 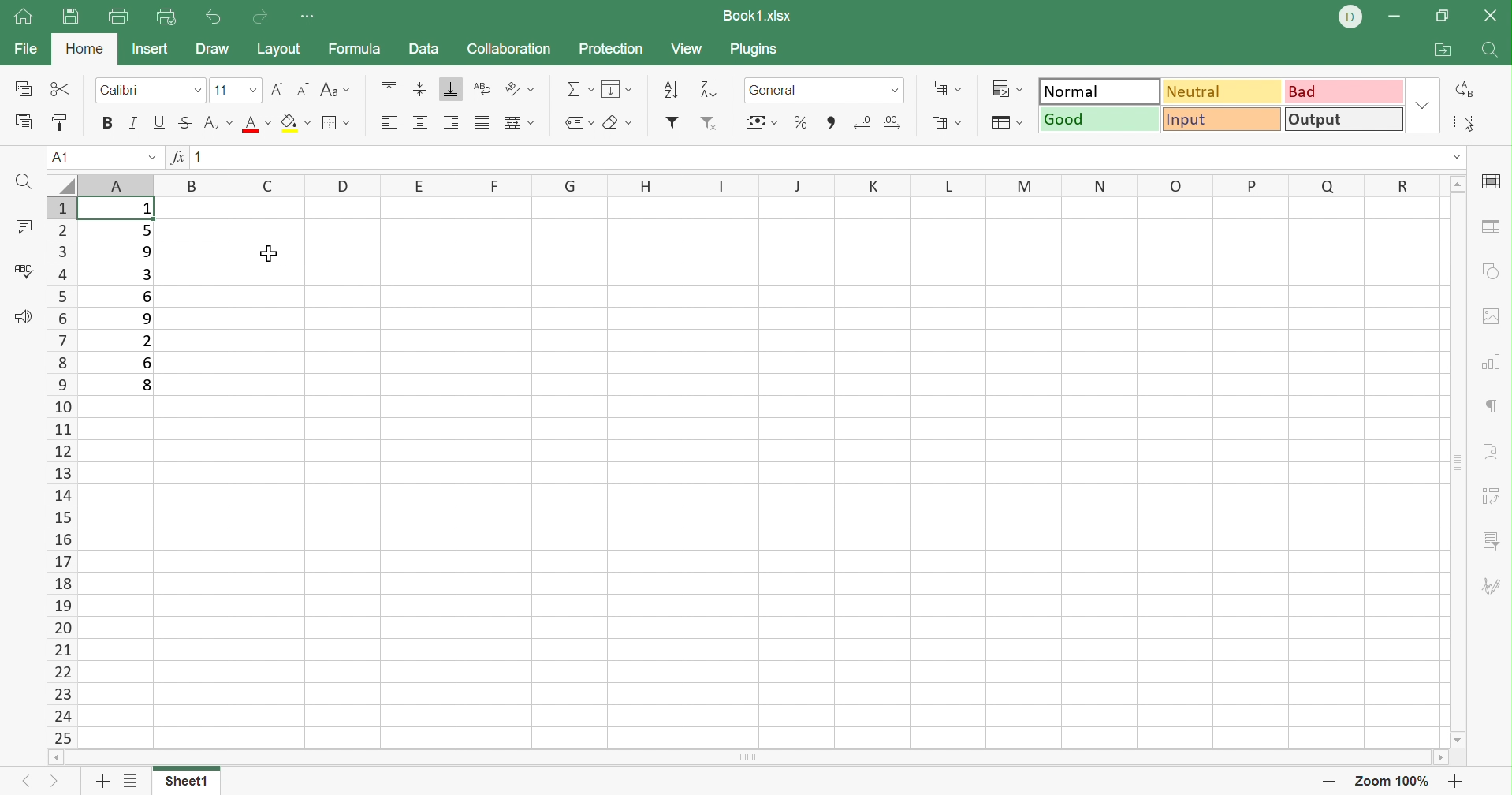 What do you see at coordinates (86, 50) in the screenshot?
I see `Home` at bounding box center [86, 50].